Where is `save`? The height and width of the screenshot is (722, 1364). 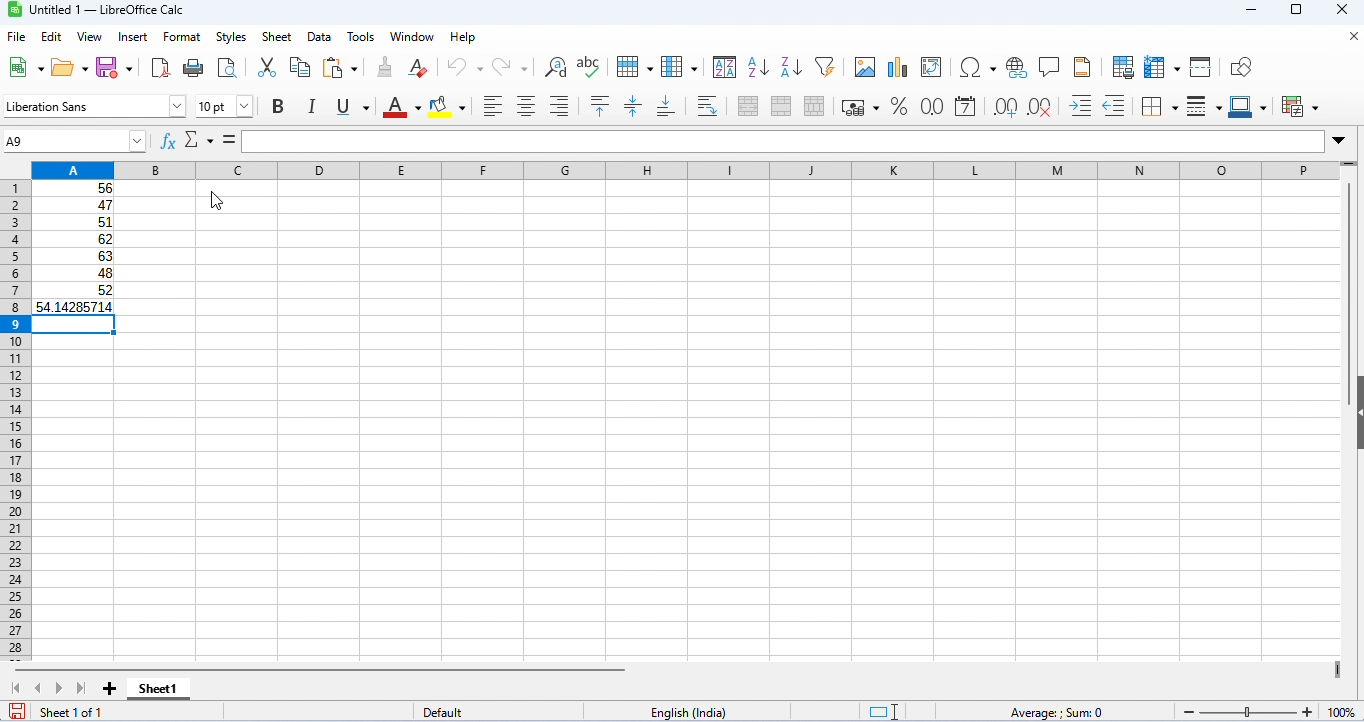
save is located at coordinates (15, 711).